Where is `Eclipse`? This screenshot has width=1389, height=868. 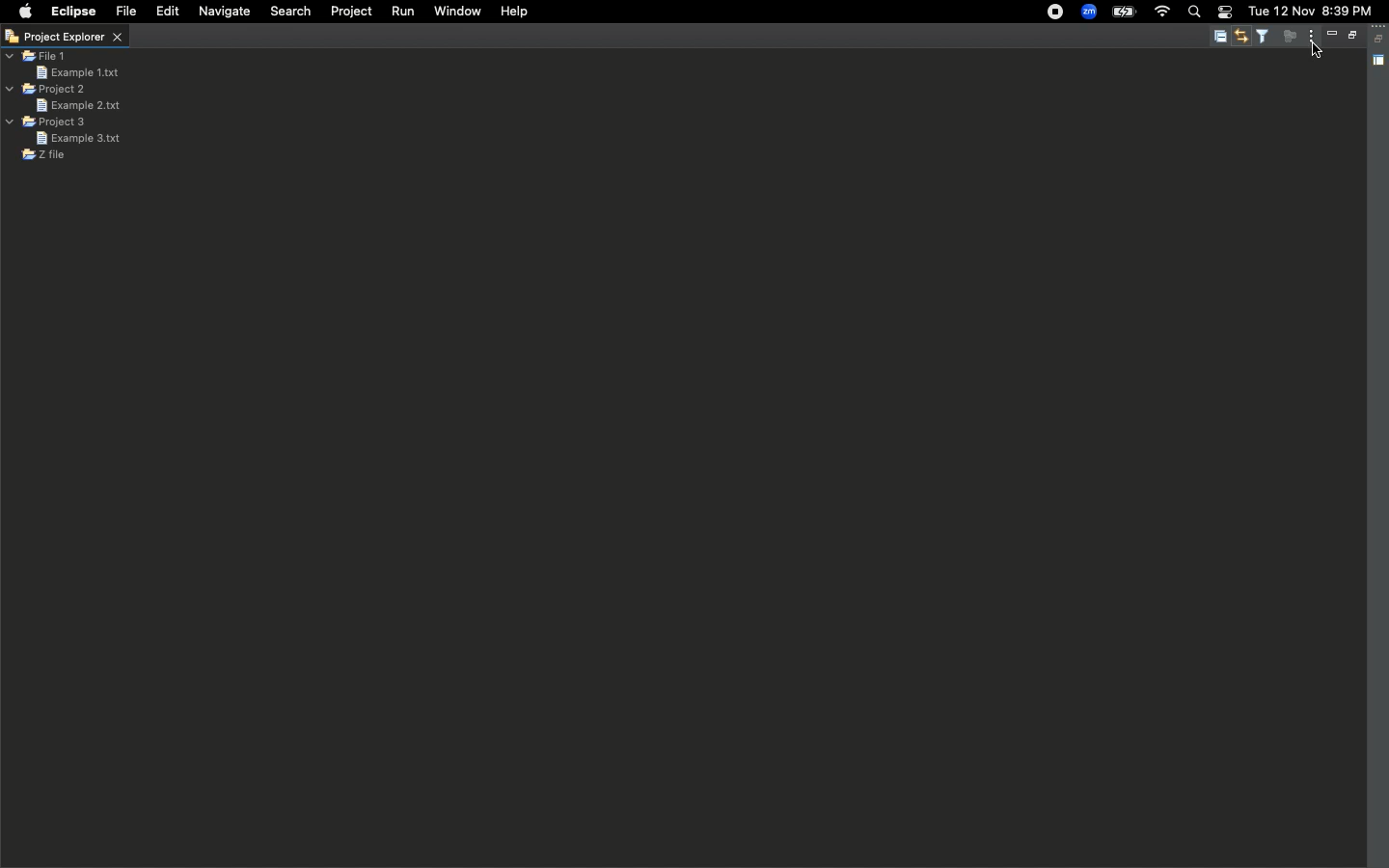
Eclipse is located at coordinates (74, 13).